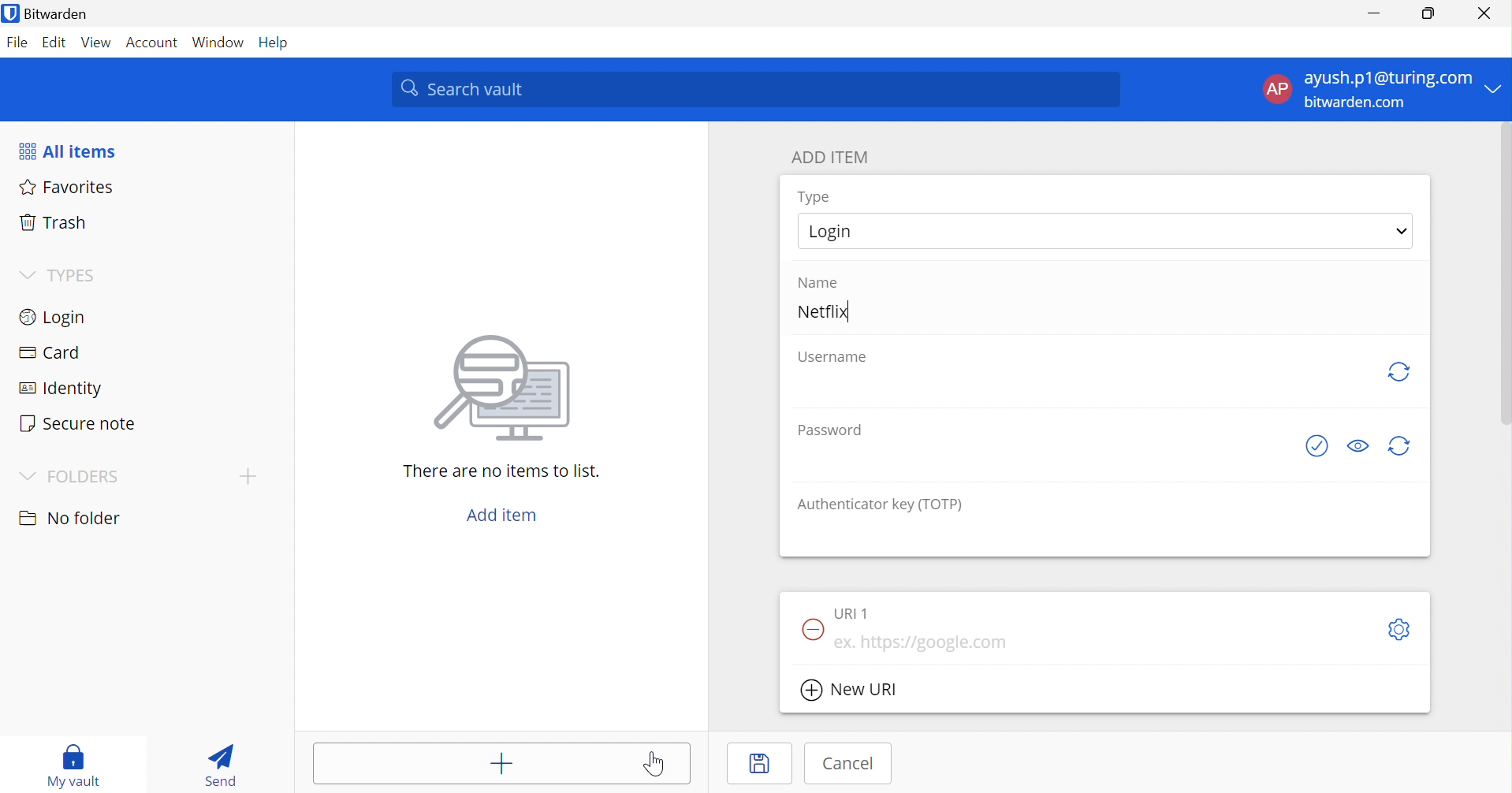 The height and width of the screenshot is (793, 1512). What do you see at coordinates (67, 478) in the screenshot?
I see `FOLDERS` at bounding box center [67, 478].